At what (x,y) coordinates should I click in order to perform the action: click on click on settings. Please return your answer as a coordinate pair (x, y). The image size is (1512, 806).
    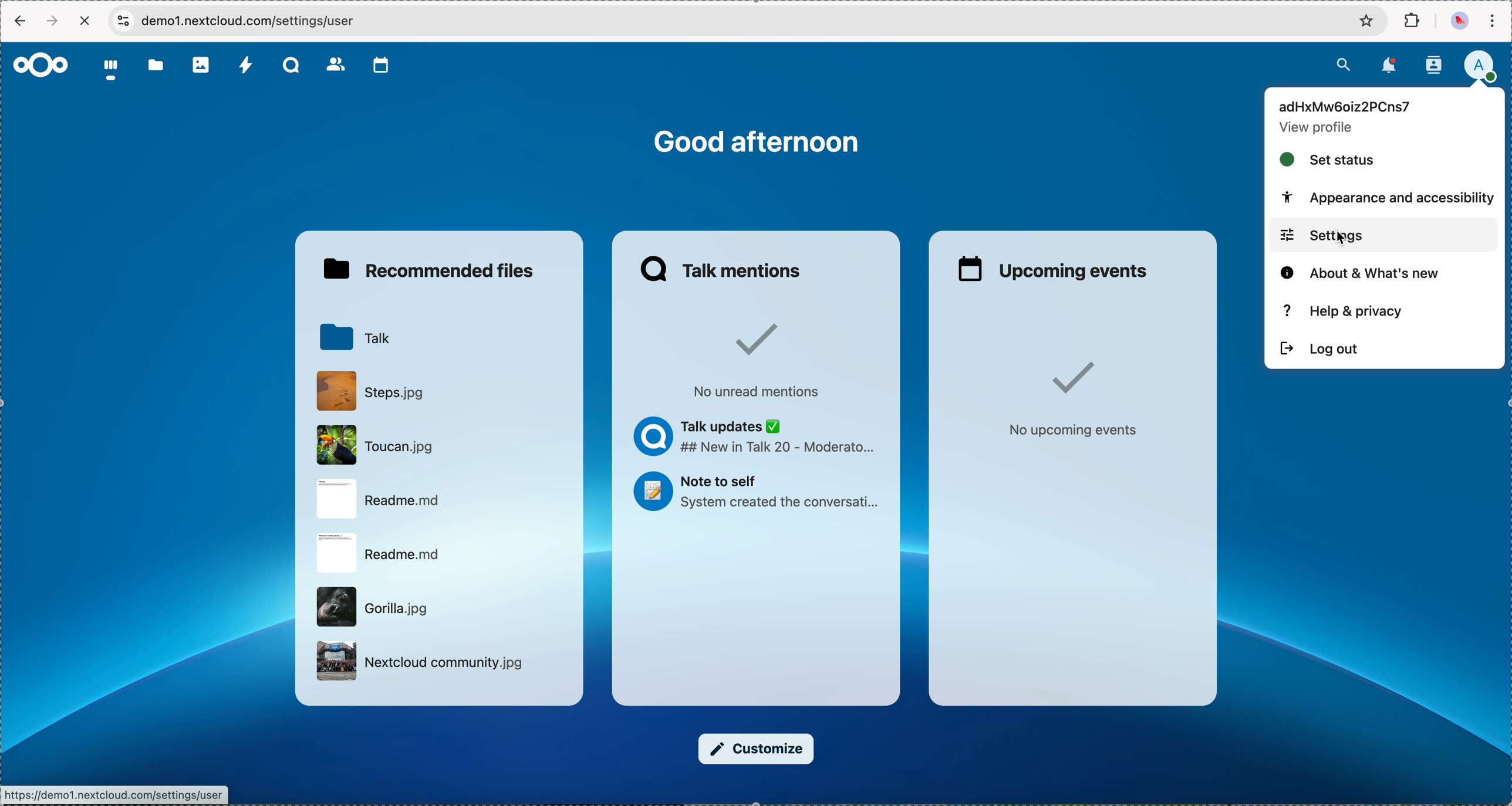
    Looking at the image, I should click on (1382, 234).